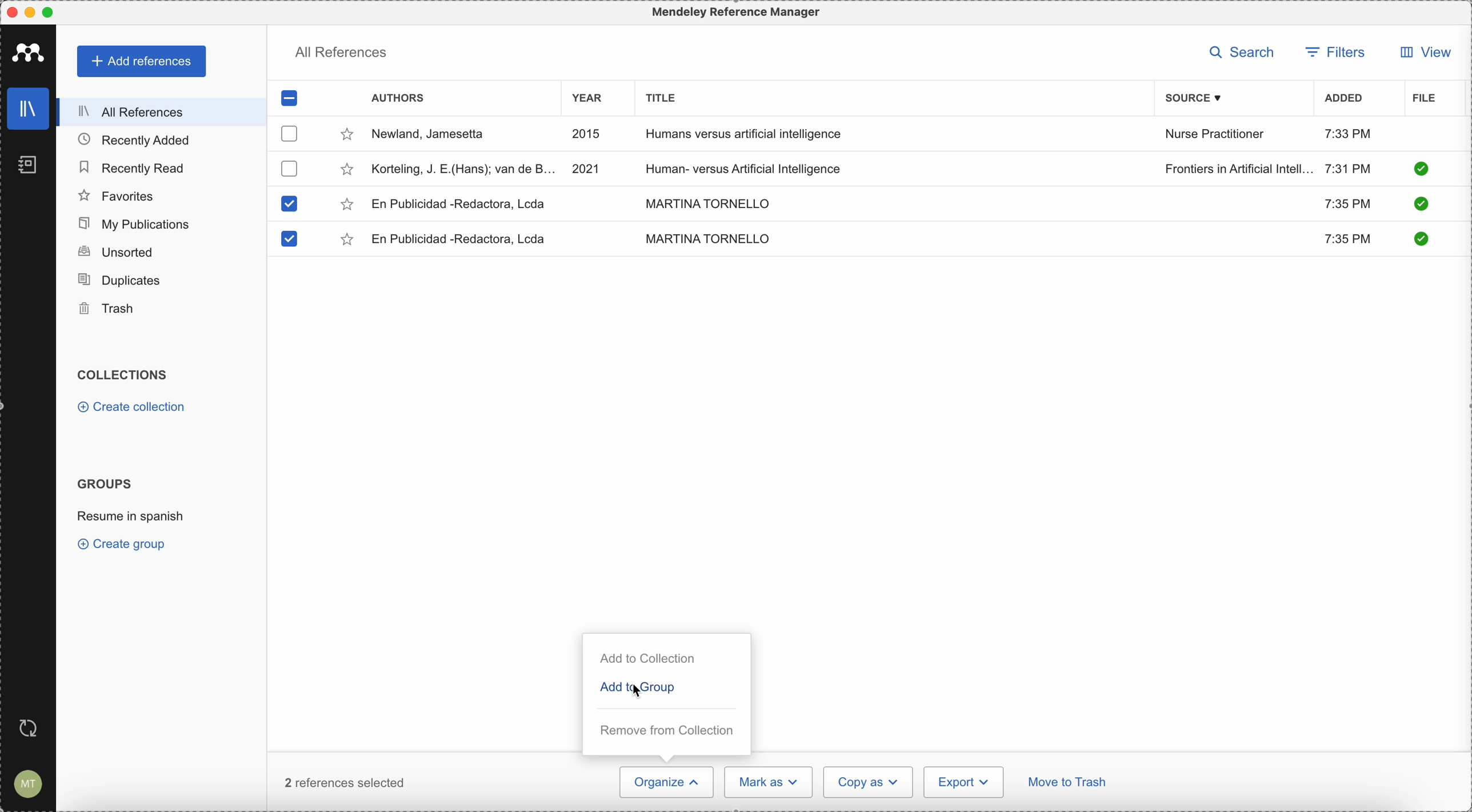 Image resolution: width=1472 pixels, height=812 pixels. Describe the element at coordinates (290, 98) in the screenshot. I see `checkbox selected` at that location.